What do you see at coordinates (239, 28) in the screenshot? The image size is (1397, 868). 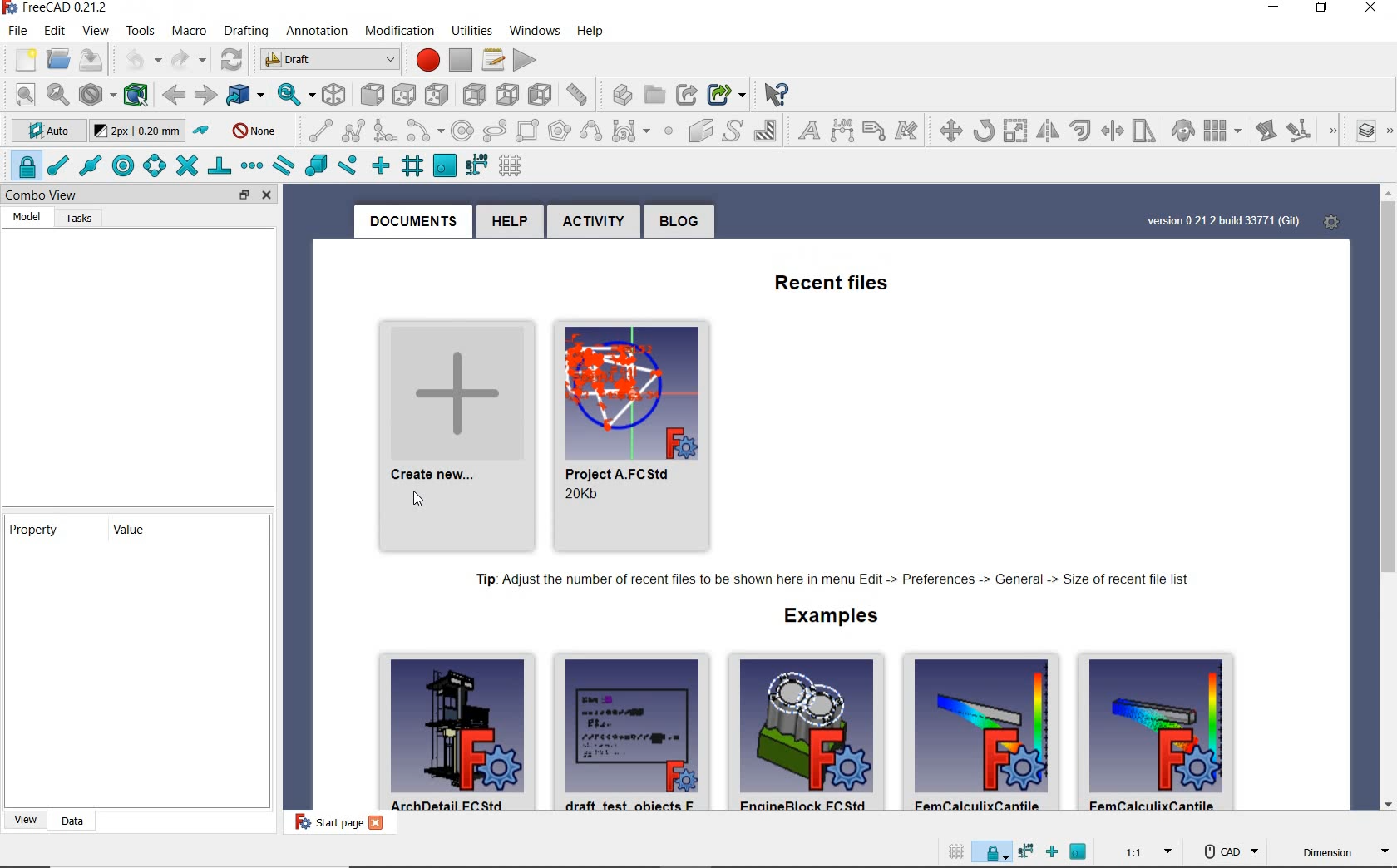 I see `meshes` at bounding box center [239, 28].